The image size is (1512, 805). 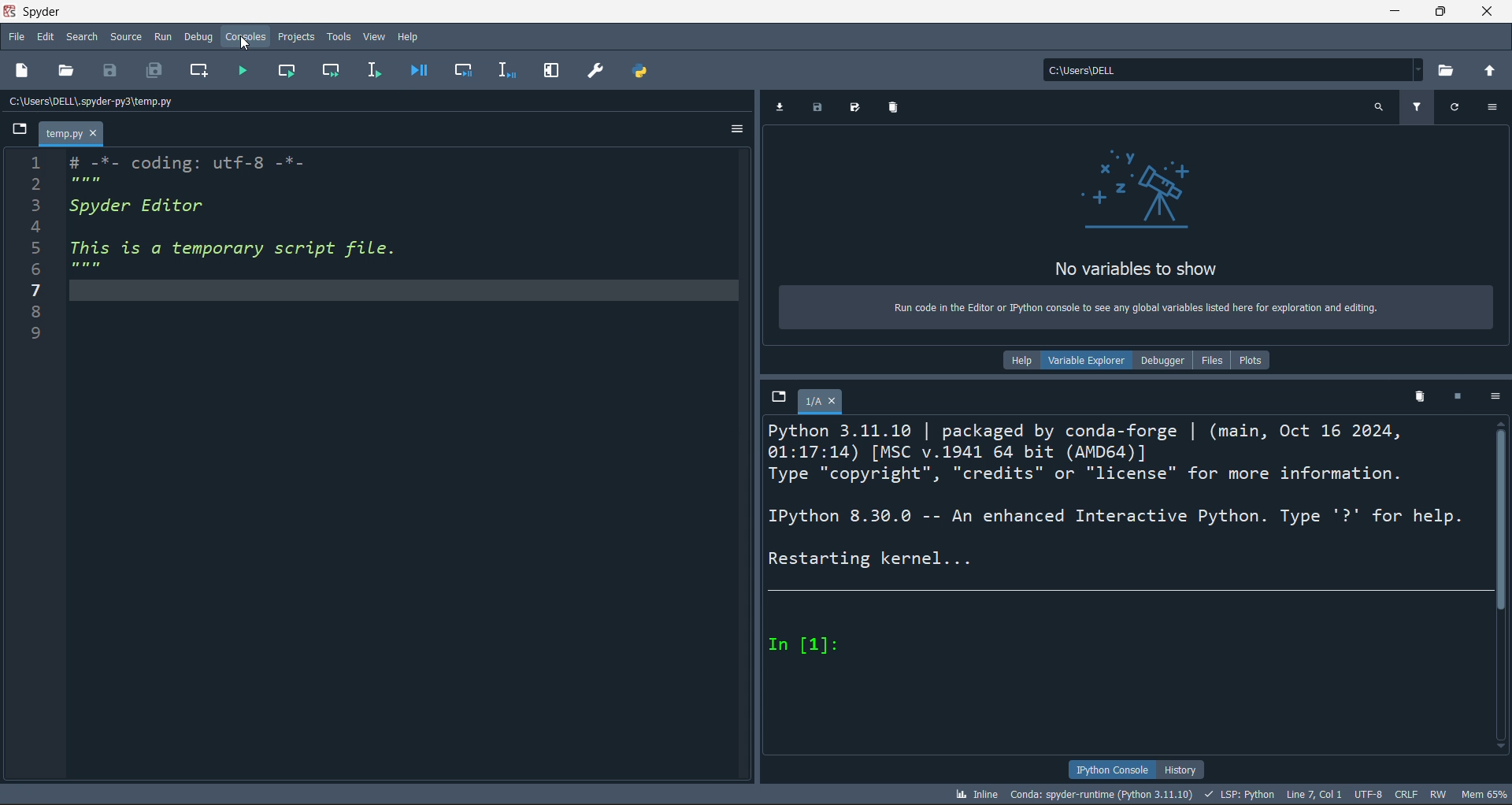 What do you see at coordinates (1438, 12) in the screenshot?
I see `maximize` at bounding box center [1438, 12].